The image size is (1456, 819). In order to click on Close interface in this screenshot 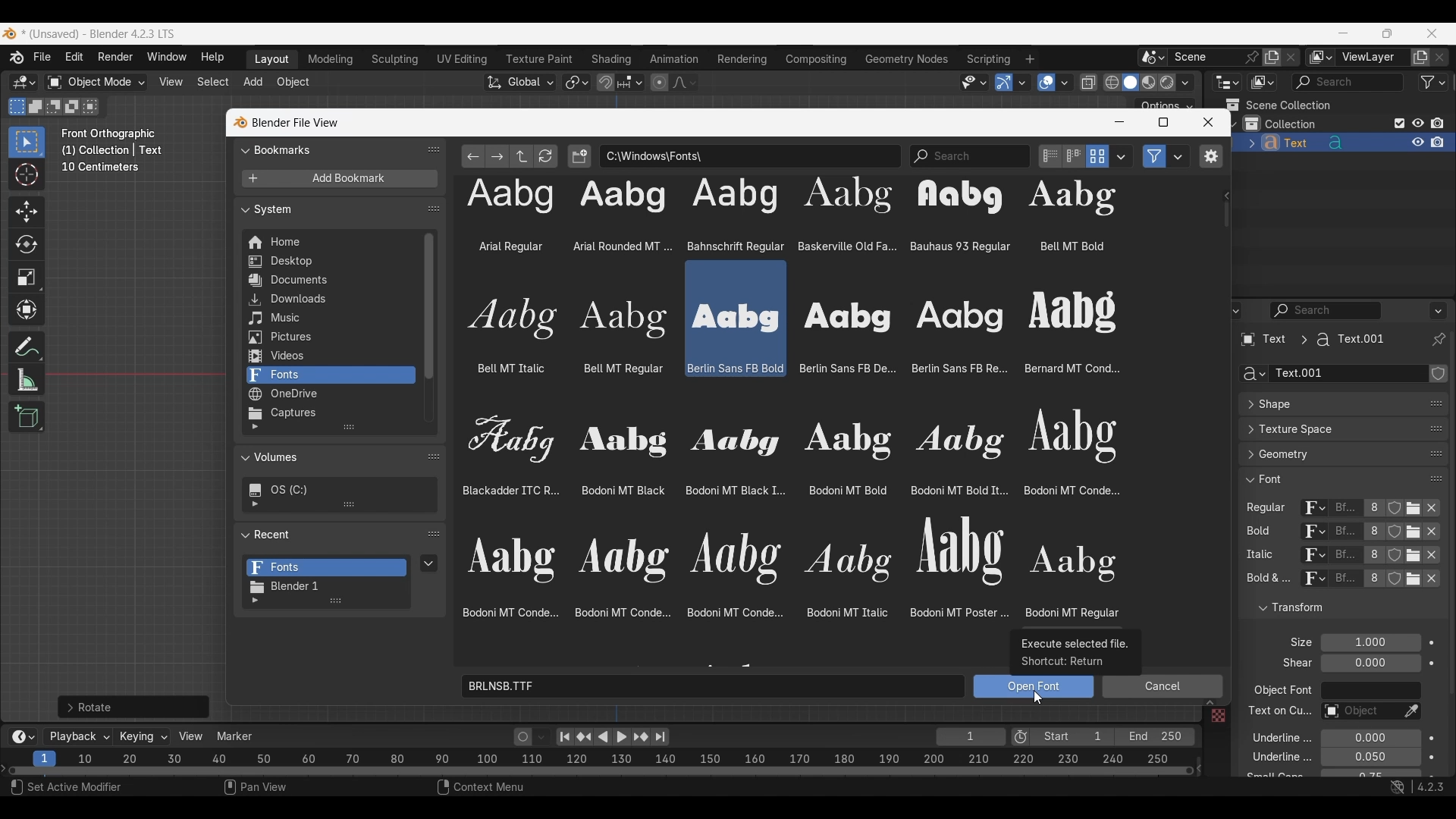, I will do `click(1432, 33)`.